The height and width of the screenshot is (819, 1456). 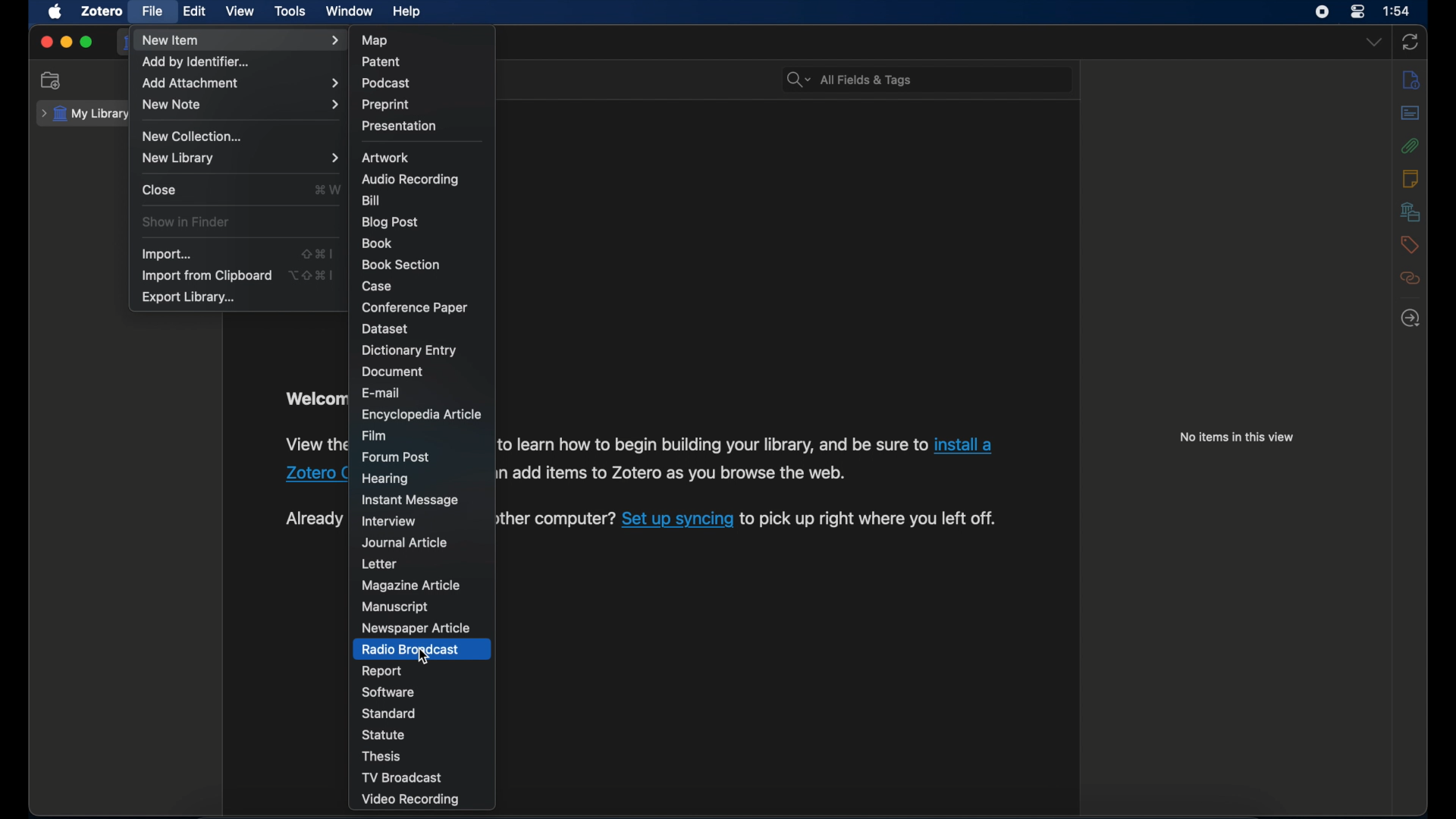 What do you see at coordinates (1398, 12) in the screenshot?
I see `1:54` at bounding box center [1398, 12].